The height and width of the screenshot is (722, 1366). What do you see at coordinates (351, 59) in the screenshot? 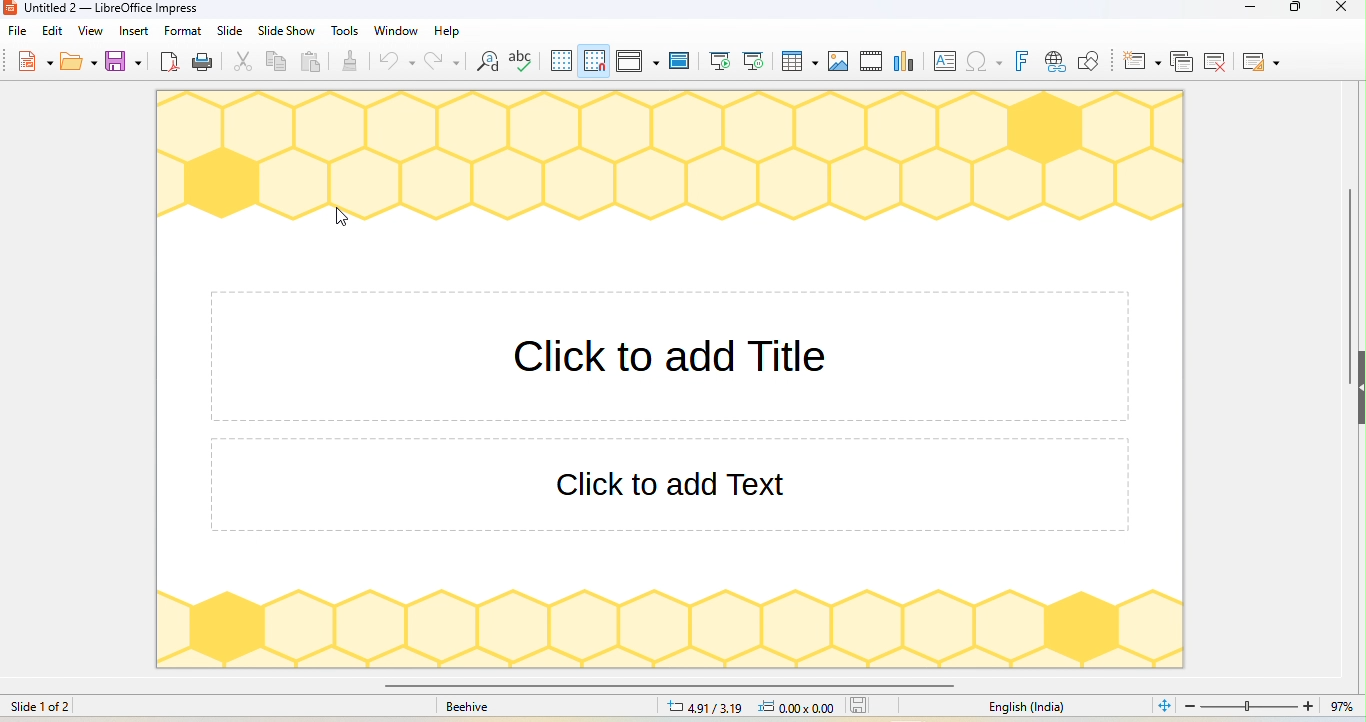
I see `clone` at bounding box center [351, 59].